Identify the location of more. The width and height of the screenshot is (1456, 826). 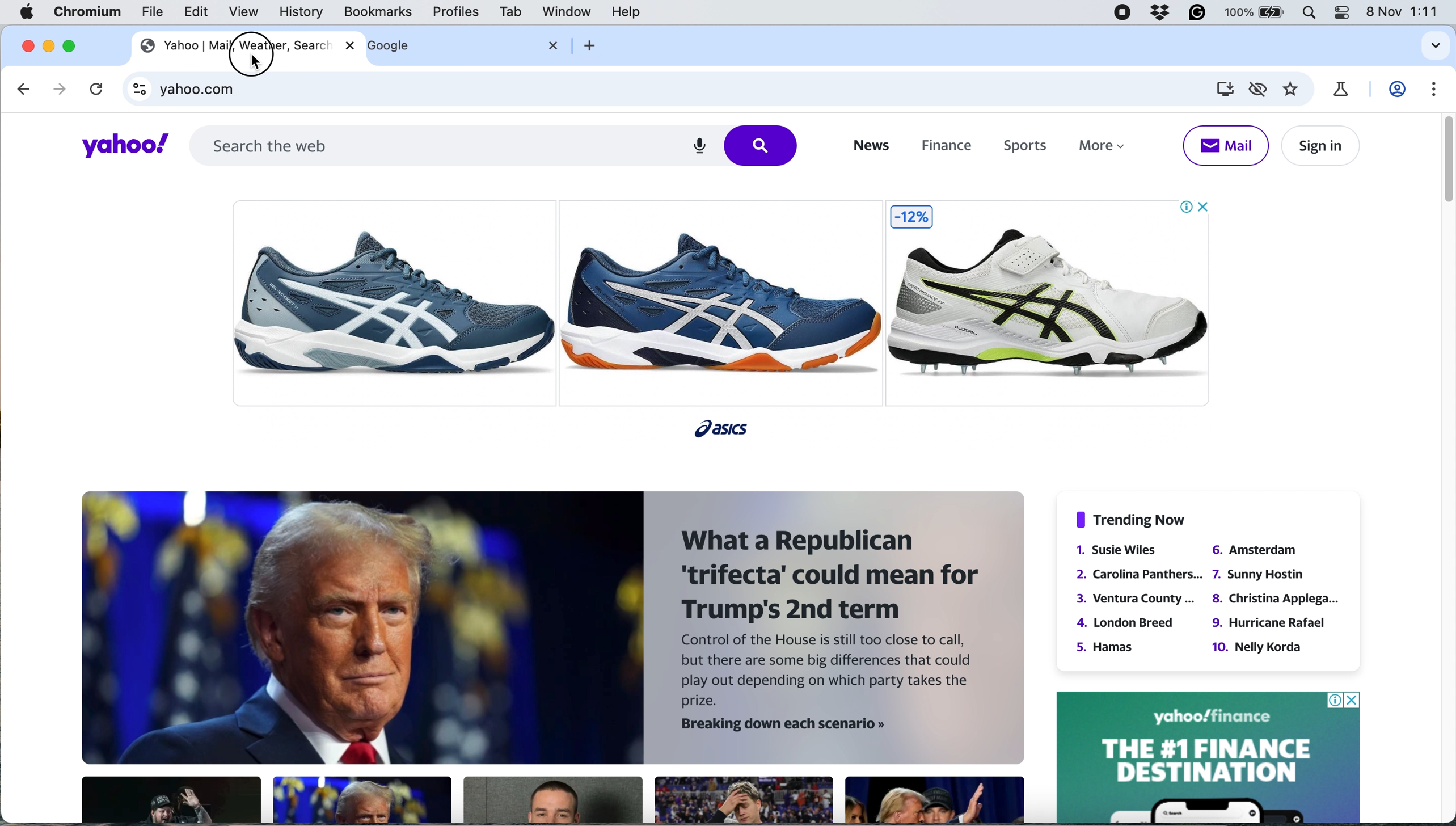
(1107, 149).